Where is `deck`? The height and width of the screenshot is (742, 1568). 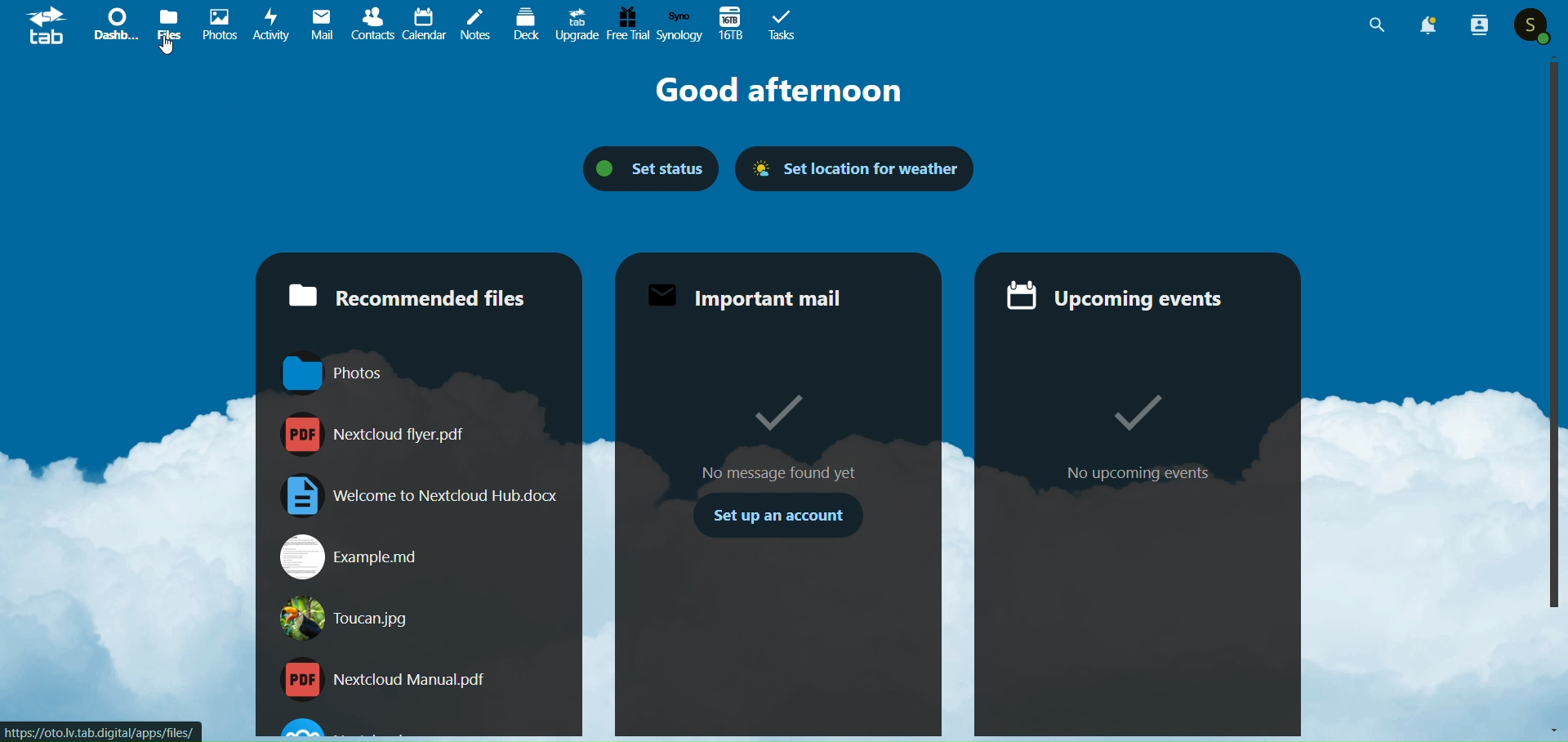 deck is located at coordinates (524, 27).